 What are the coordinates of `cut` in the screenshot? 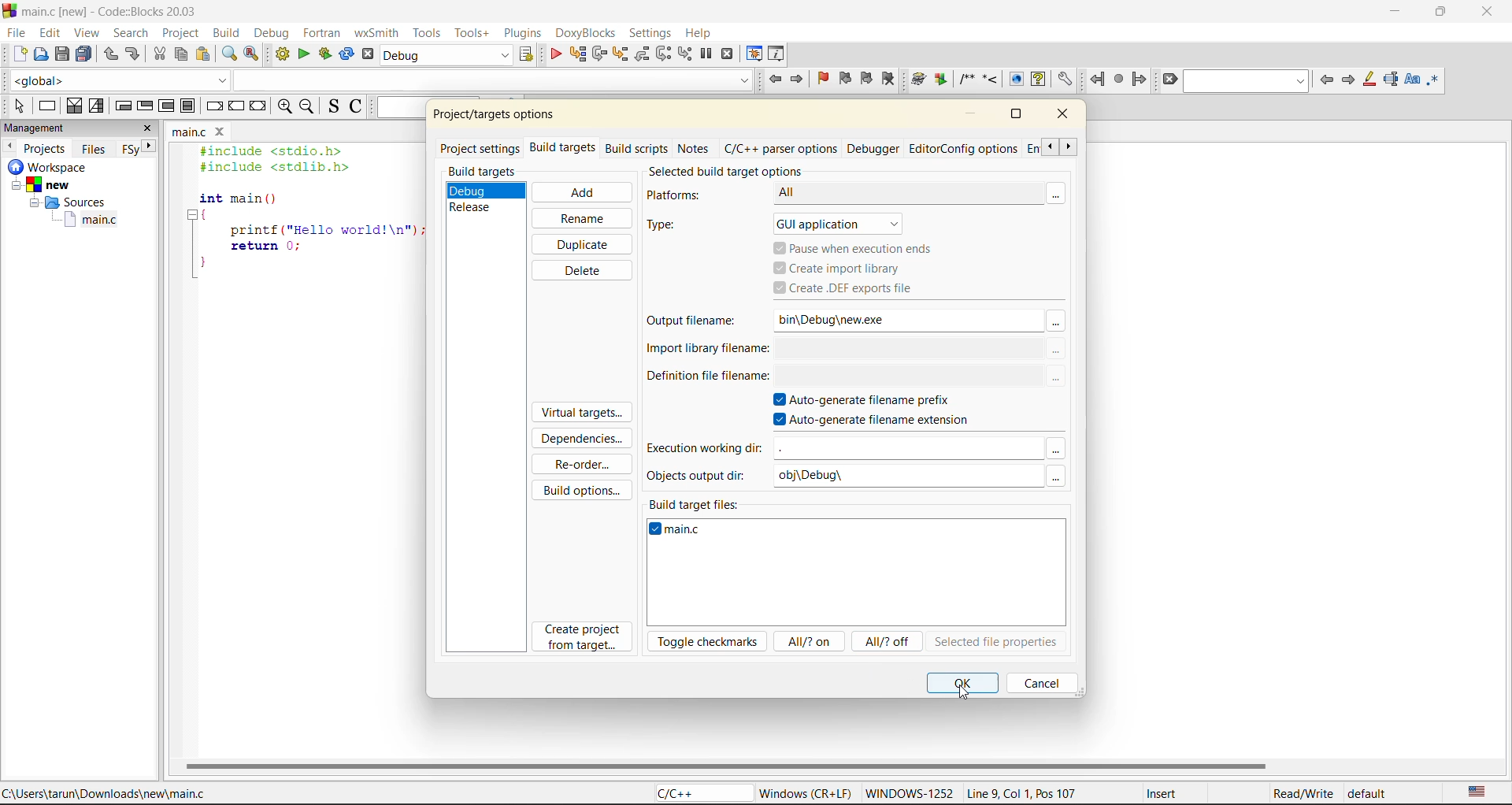 It's located at (158, 54).